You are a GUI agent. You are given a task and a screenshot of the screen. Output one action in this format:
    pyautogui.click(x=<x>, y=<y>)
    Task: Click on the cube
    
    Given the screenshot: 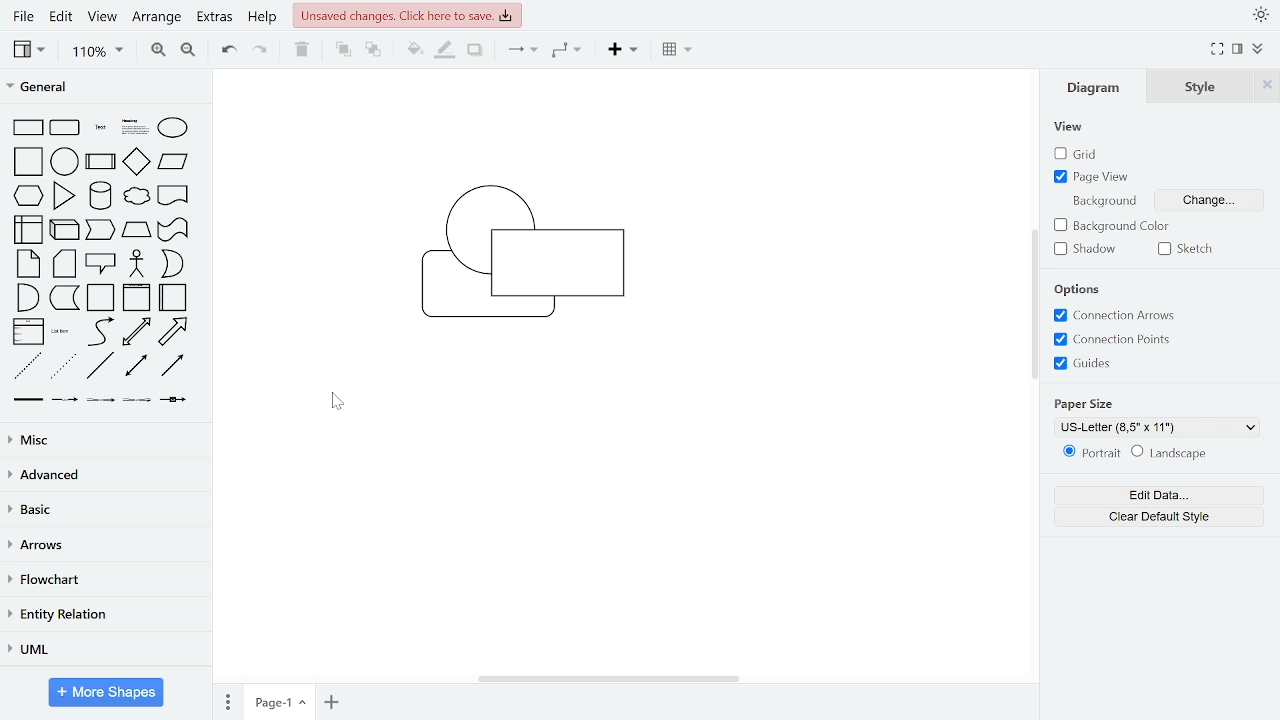 What is the action you would take?
    pyautogui.click(x=66, y=231)
    